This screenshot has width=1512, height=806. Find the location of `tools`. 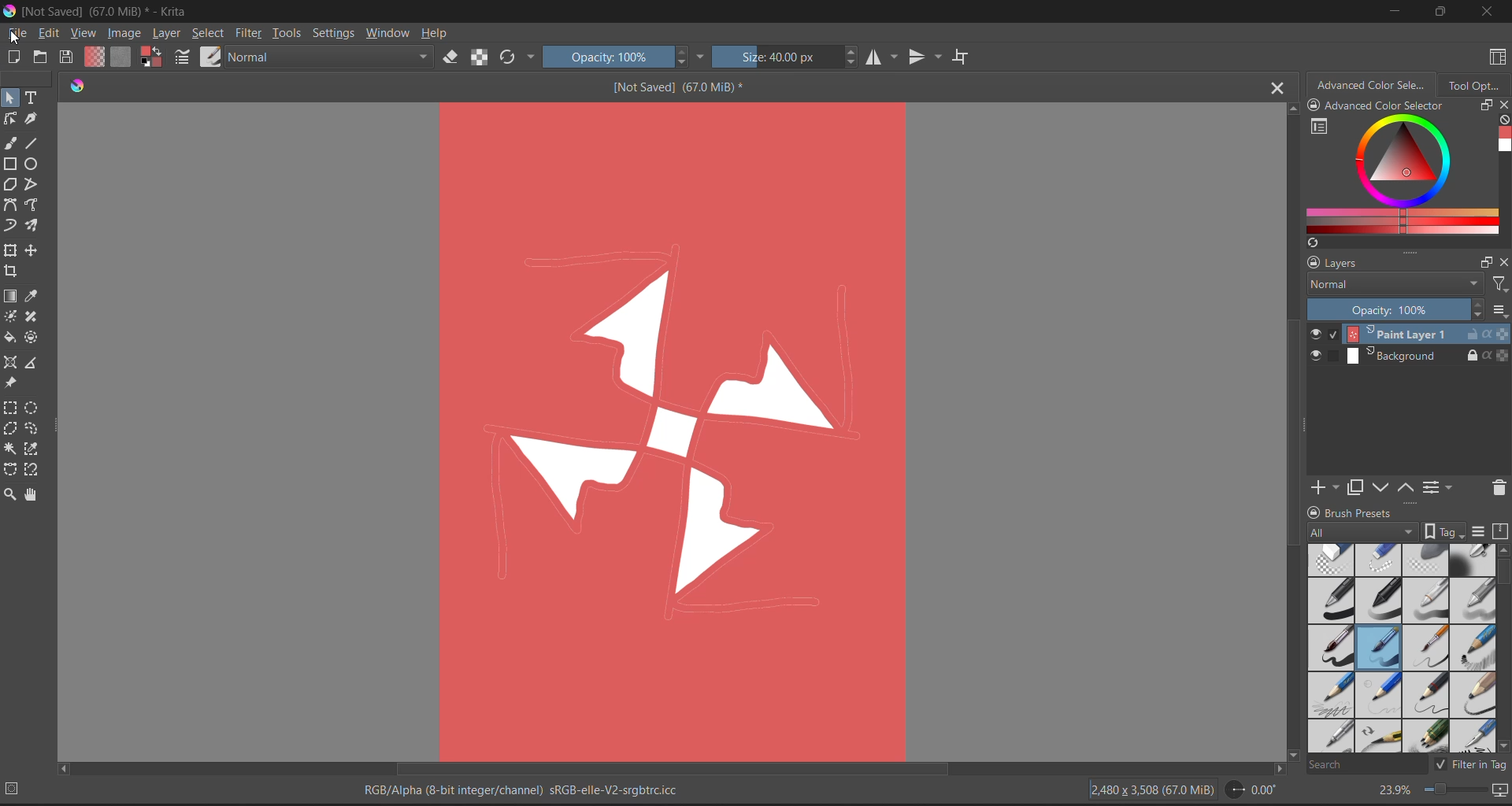

tools is located at coordinates (11, 430).